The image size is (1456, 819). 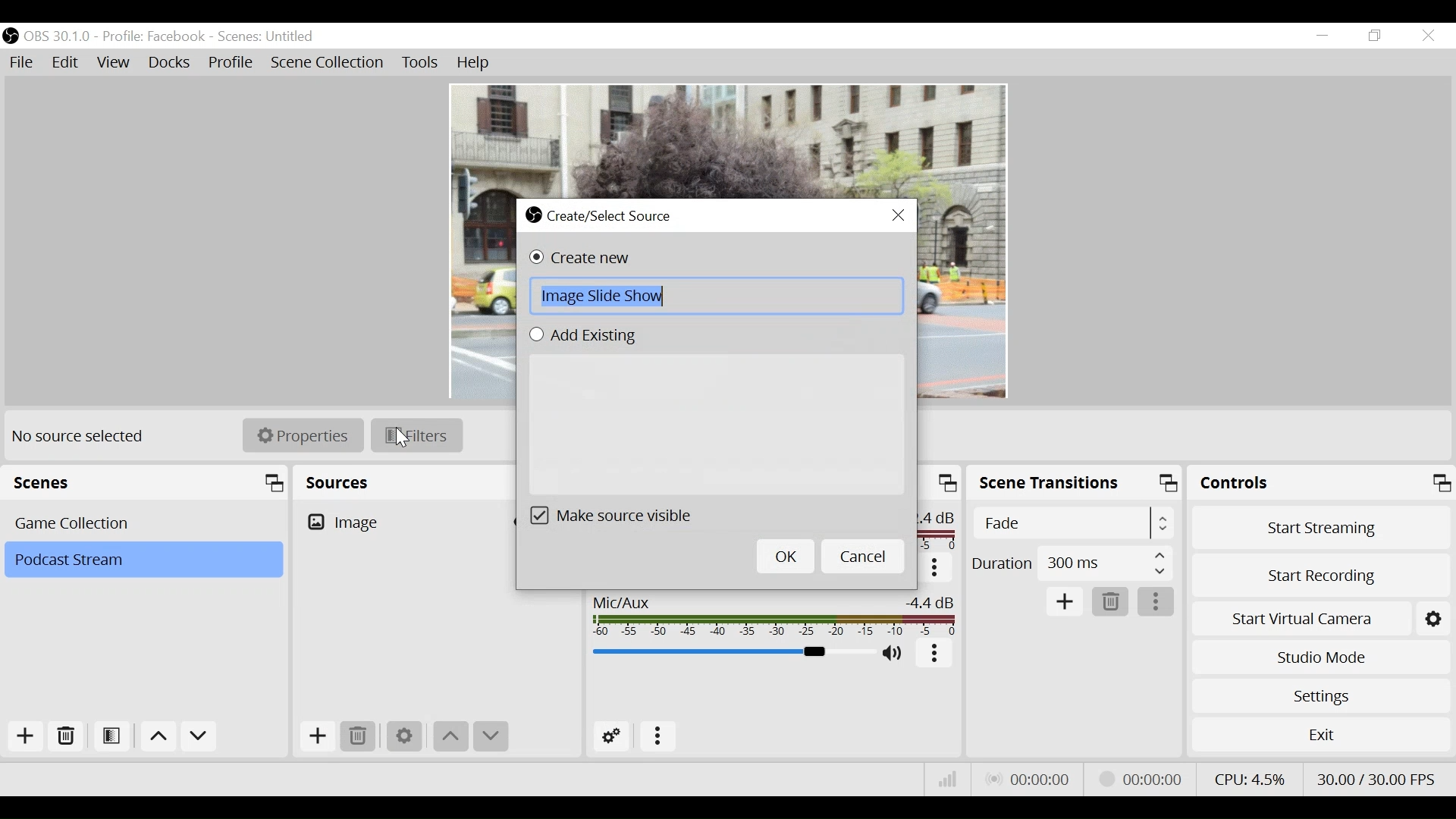 I want to click on Close, so click(x=899, y=216).